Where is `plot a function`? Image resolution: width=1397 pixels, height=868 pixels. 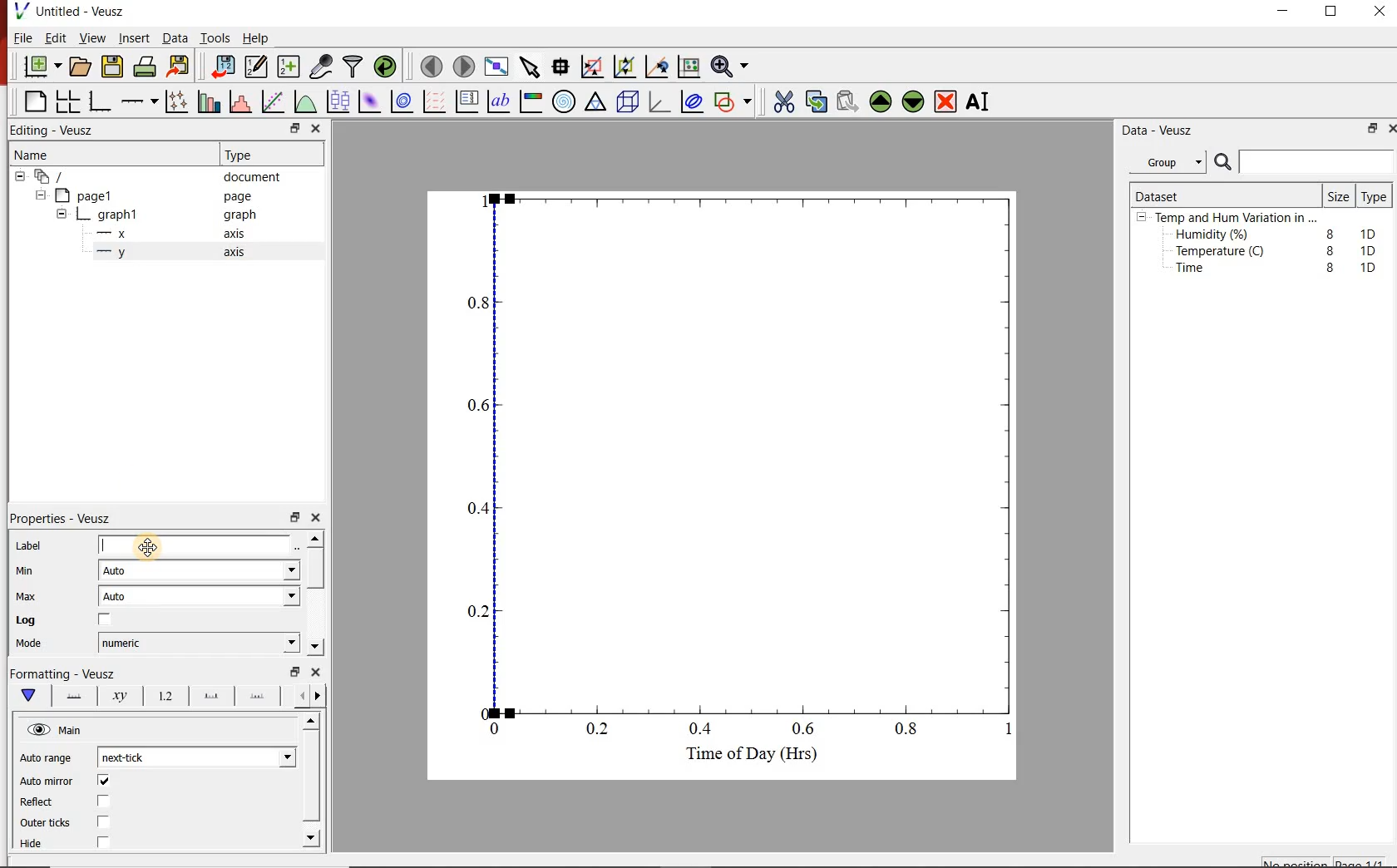
plot a function is located at coordinates (307, 104).